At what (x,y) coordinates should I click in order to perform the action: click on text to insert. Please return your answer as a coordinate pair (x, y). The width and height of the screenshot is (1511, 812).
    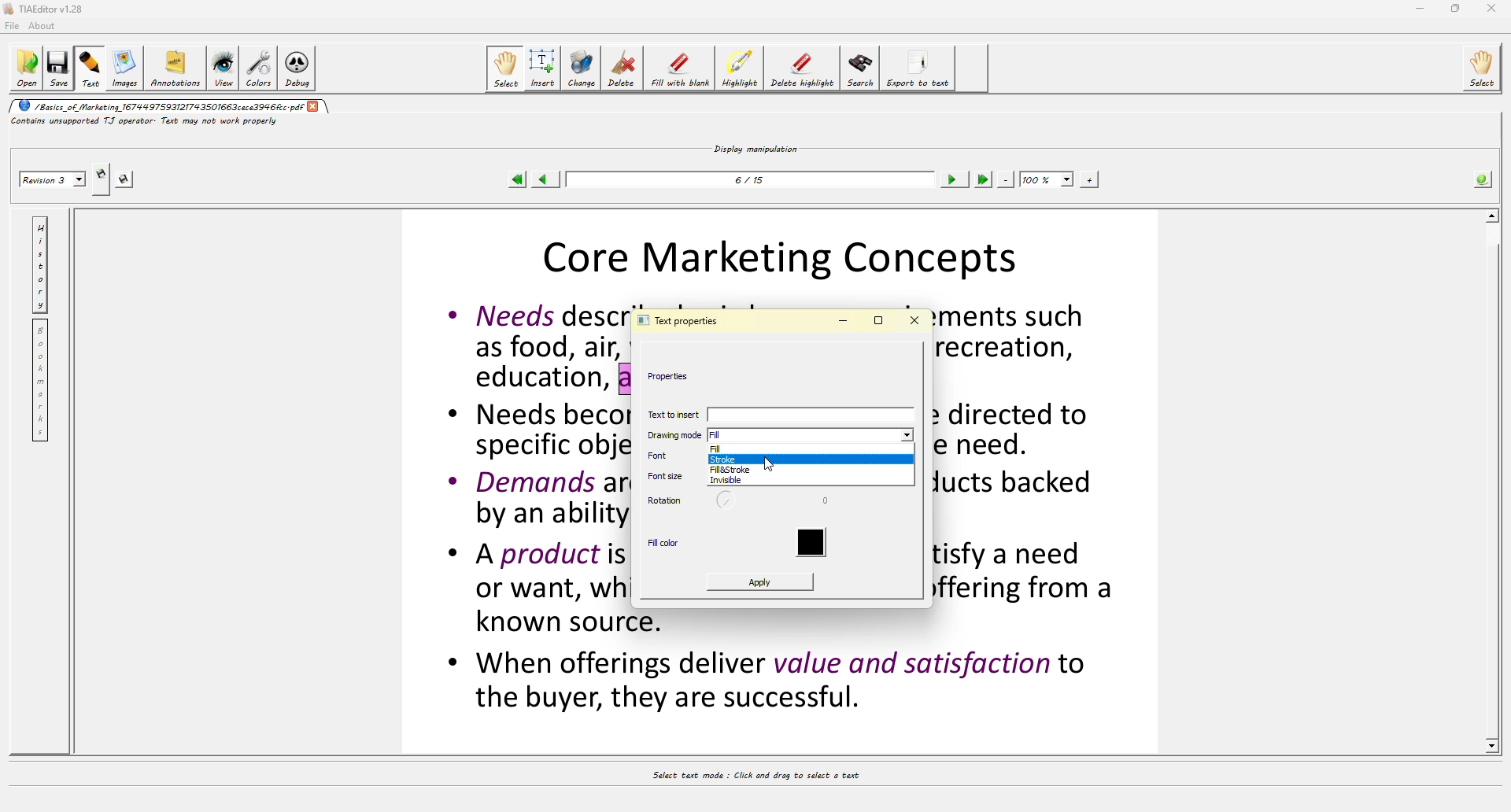
    Looking at the image, I should click on (783, 415).